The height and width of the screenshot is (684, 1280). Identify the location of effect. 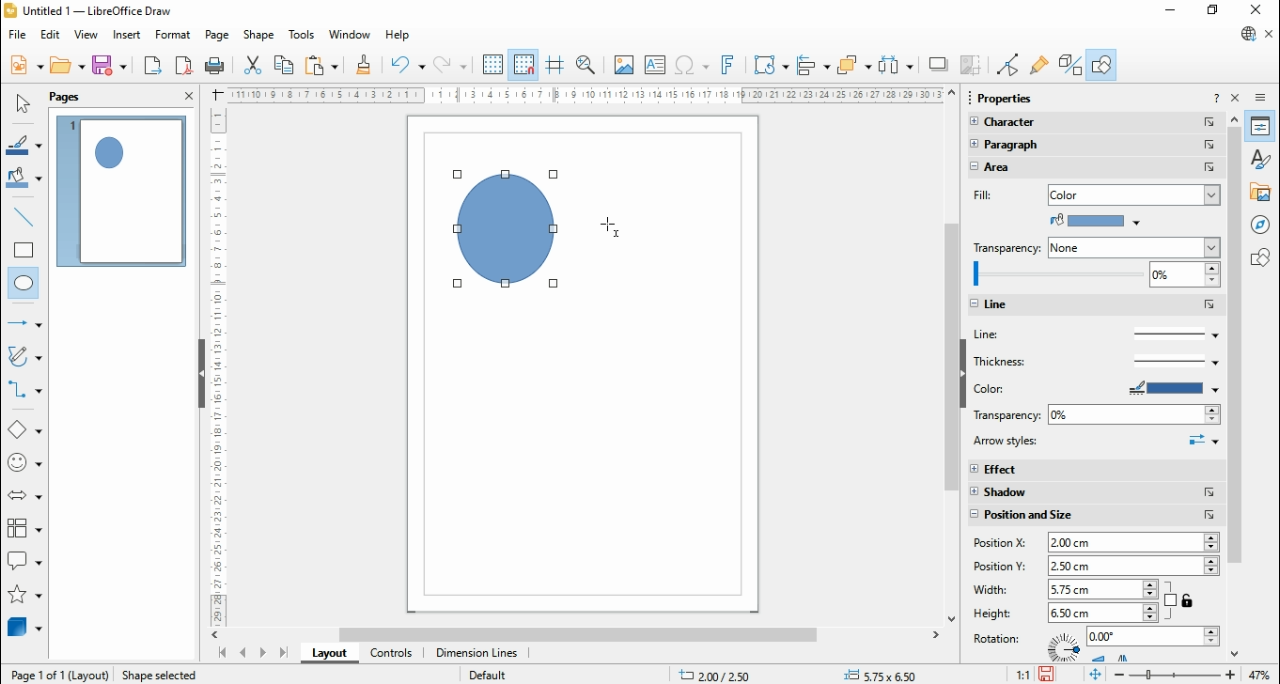
(1095, 468).